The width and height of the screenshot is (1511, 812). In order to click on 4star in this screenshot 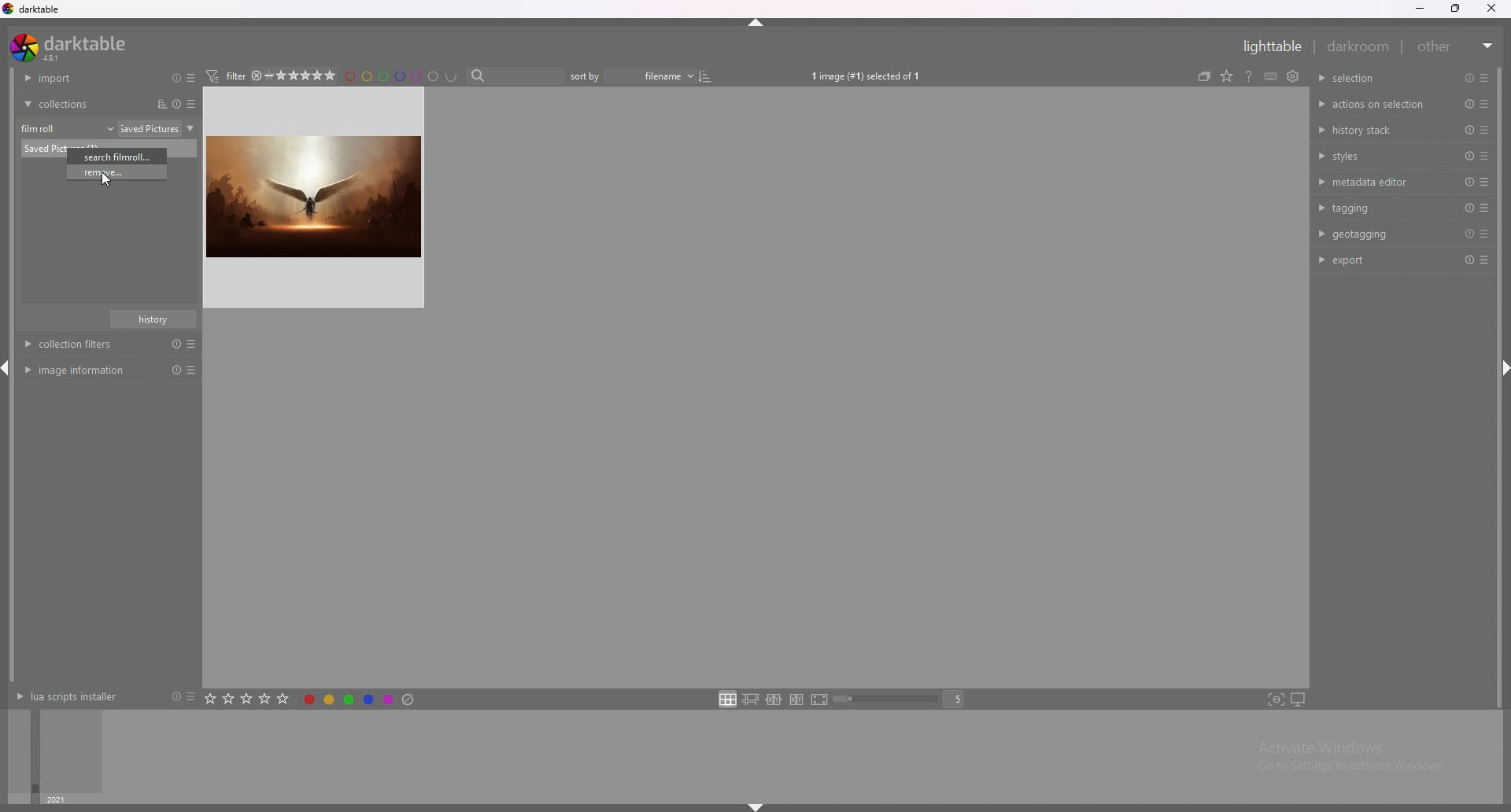, I will do `click(263, 76)`.